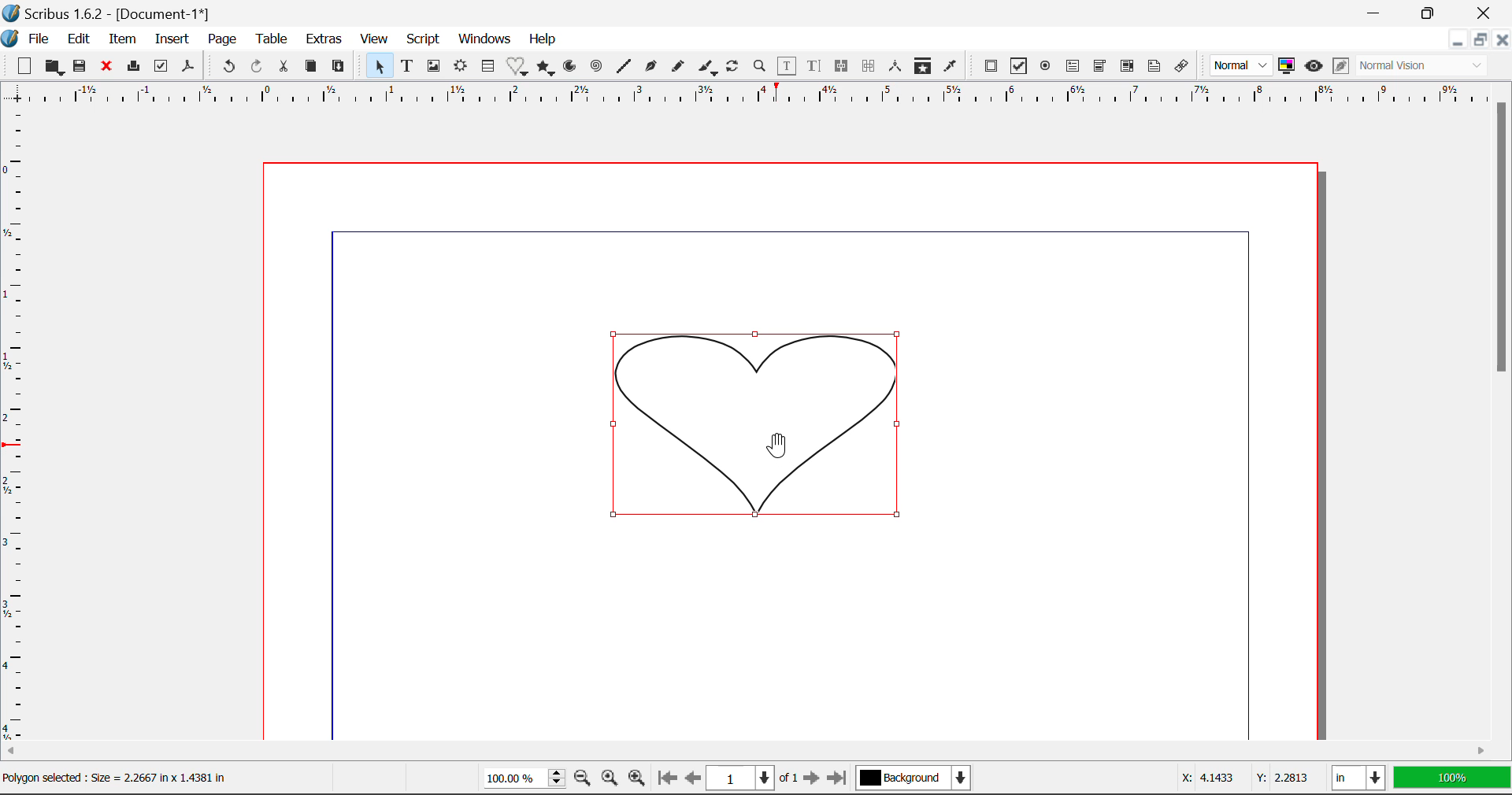 The height and width of the screenshot is (795, 1512). What do you see at coordinates (422, 41) in the screenshot?
I see `Script` at bounding box center [422, 41].